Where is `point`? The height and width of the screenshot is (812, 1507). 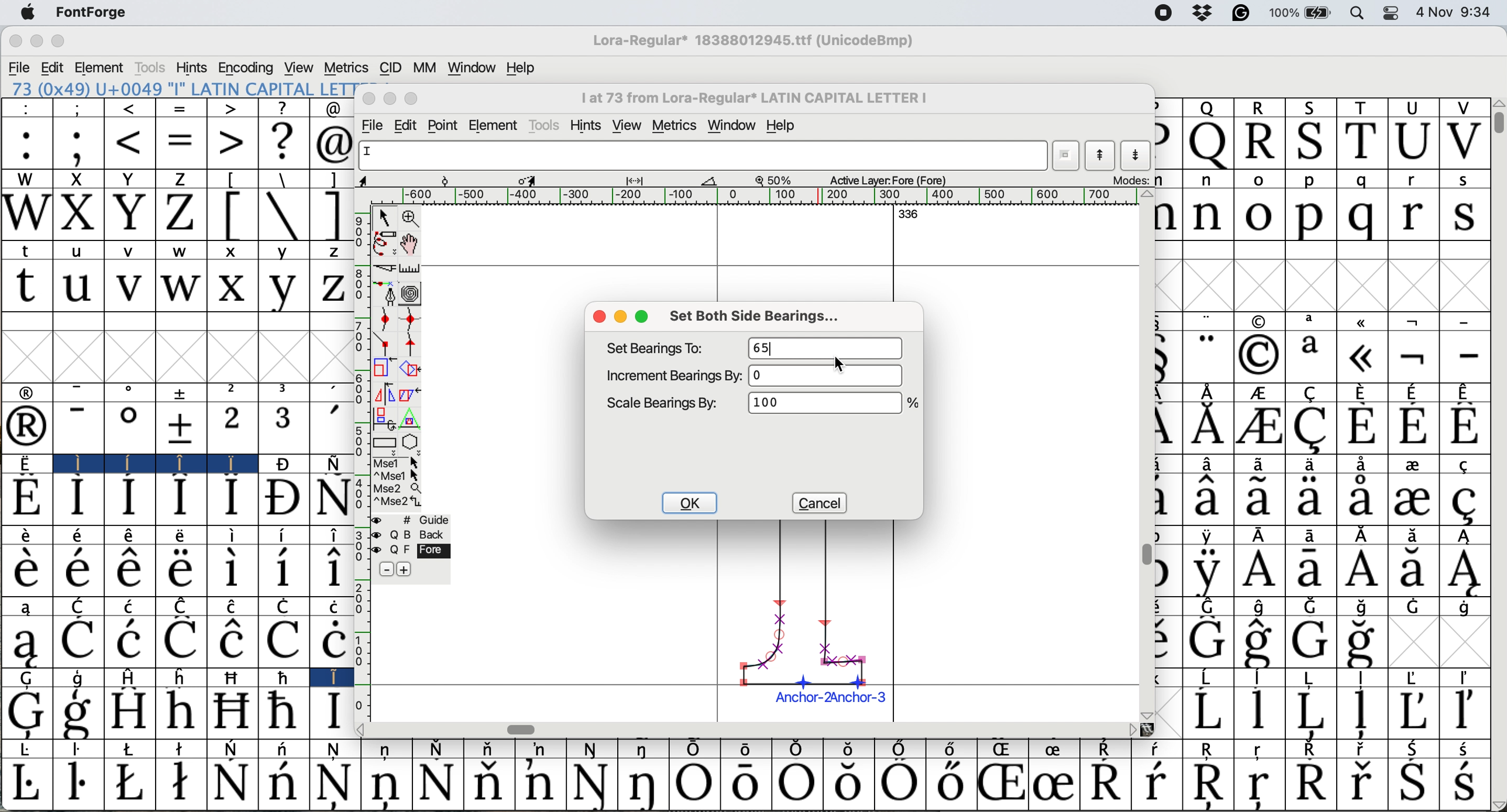
point is located at coordinates (446, 125).